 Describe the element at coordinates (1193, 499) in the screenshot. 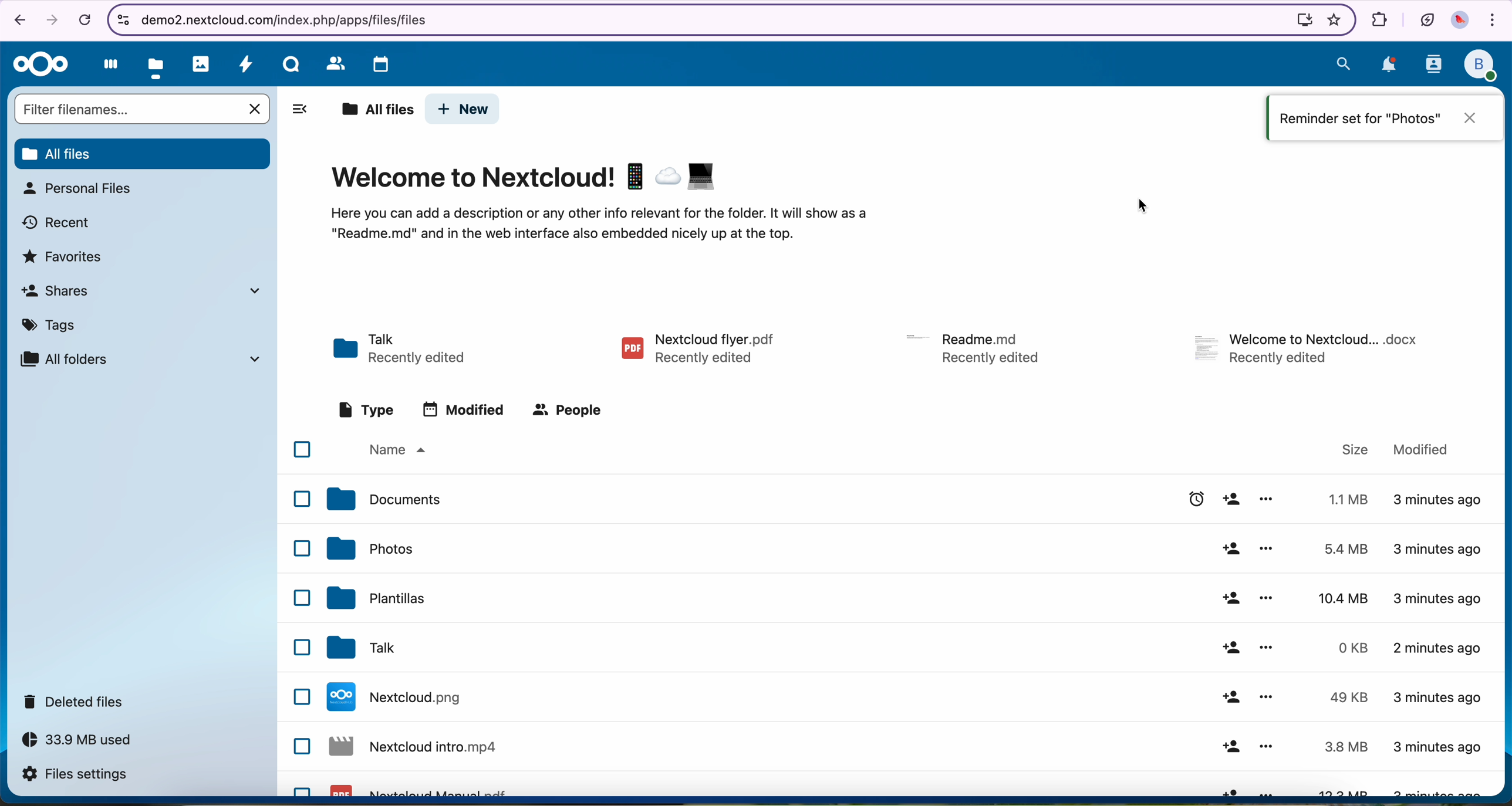

I see `enable reminder` at that location.